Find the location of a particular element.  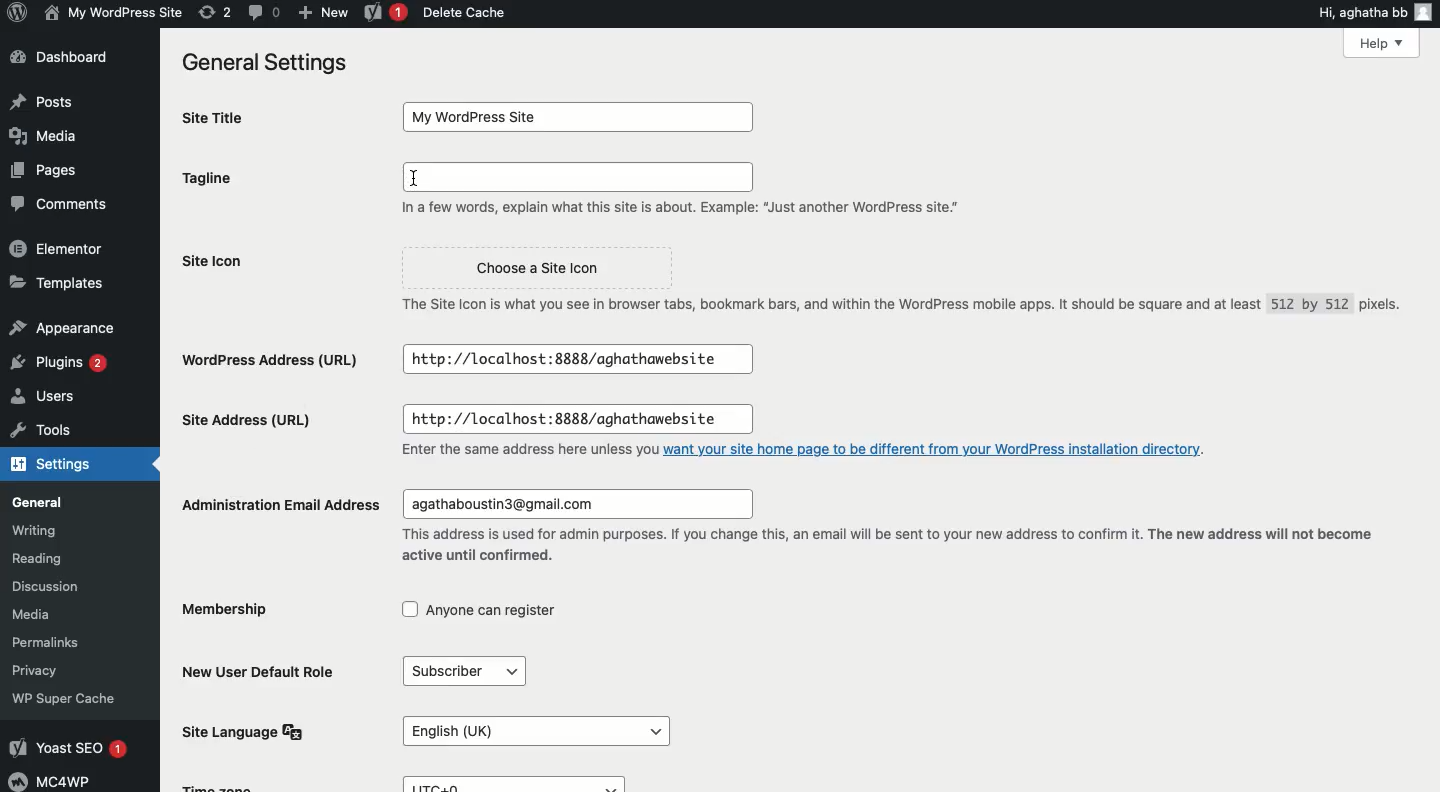

Delete cache is located at coordinates (465, 12).